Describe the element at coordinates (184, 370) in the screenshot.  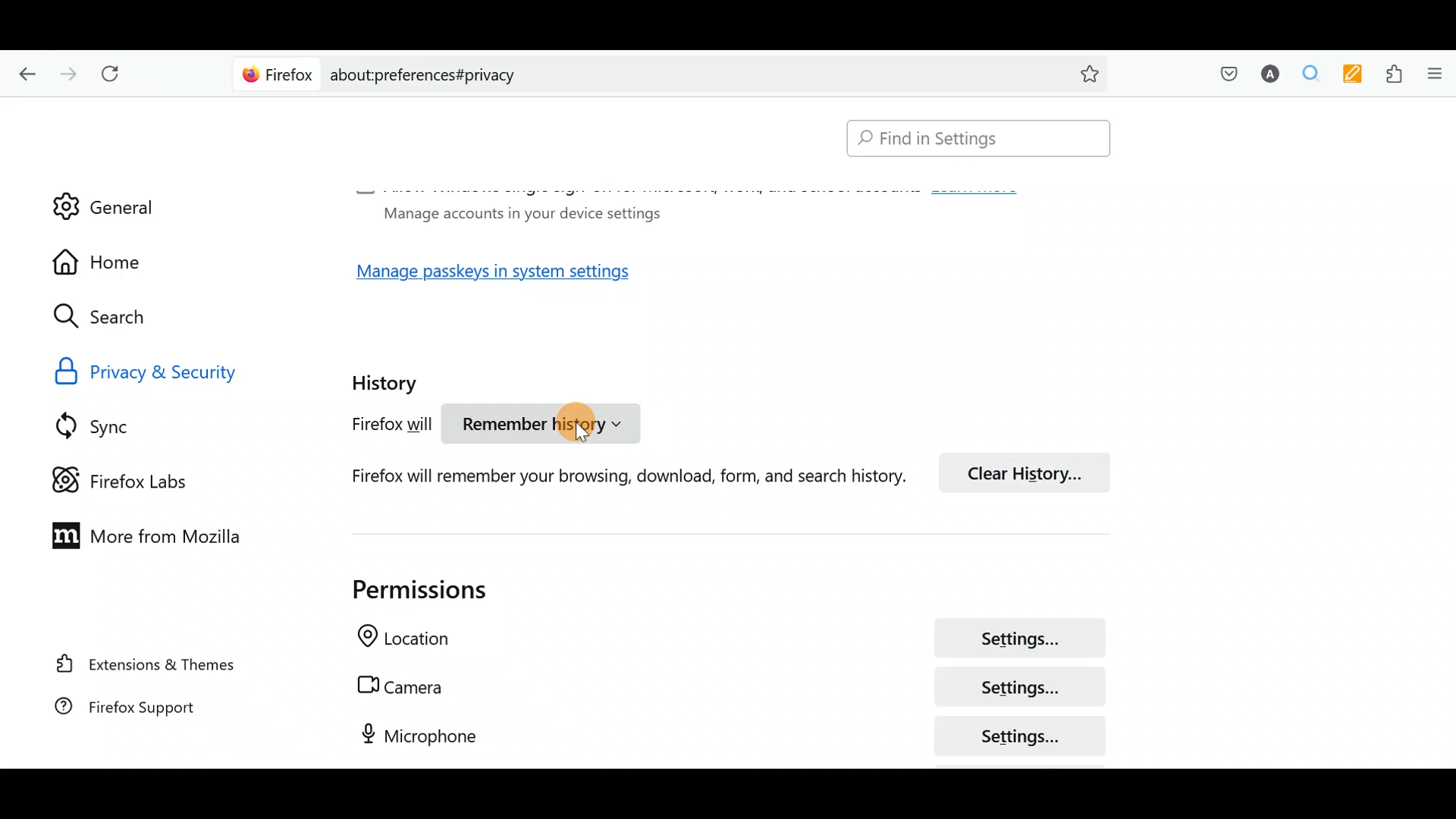
I see `Privacy & security` at that location.